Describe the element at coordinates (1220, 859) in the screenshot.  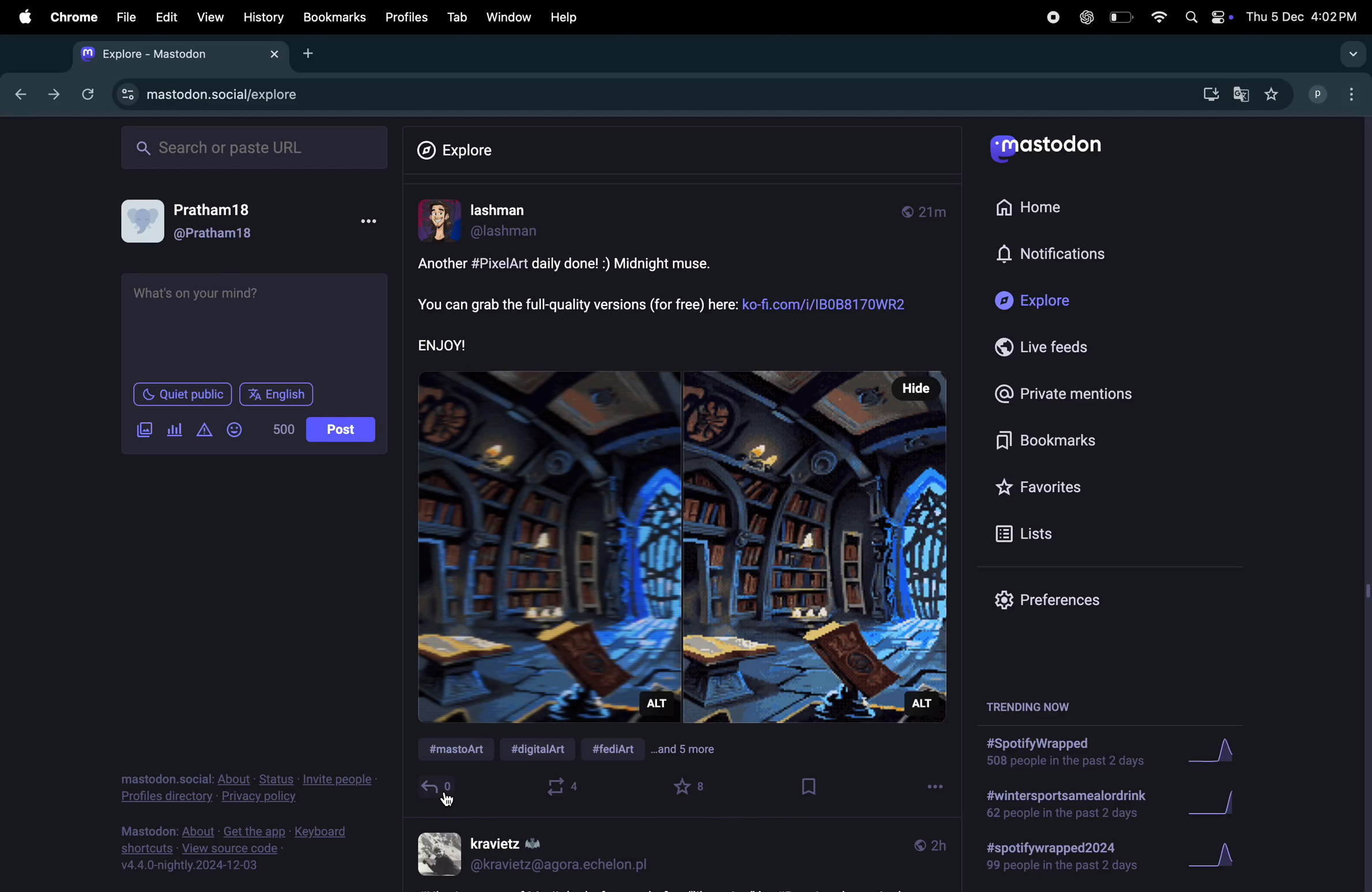
I see `graph` at that location.